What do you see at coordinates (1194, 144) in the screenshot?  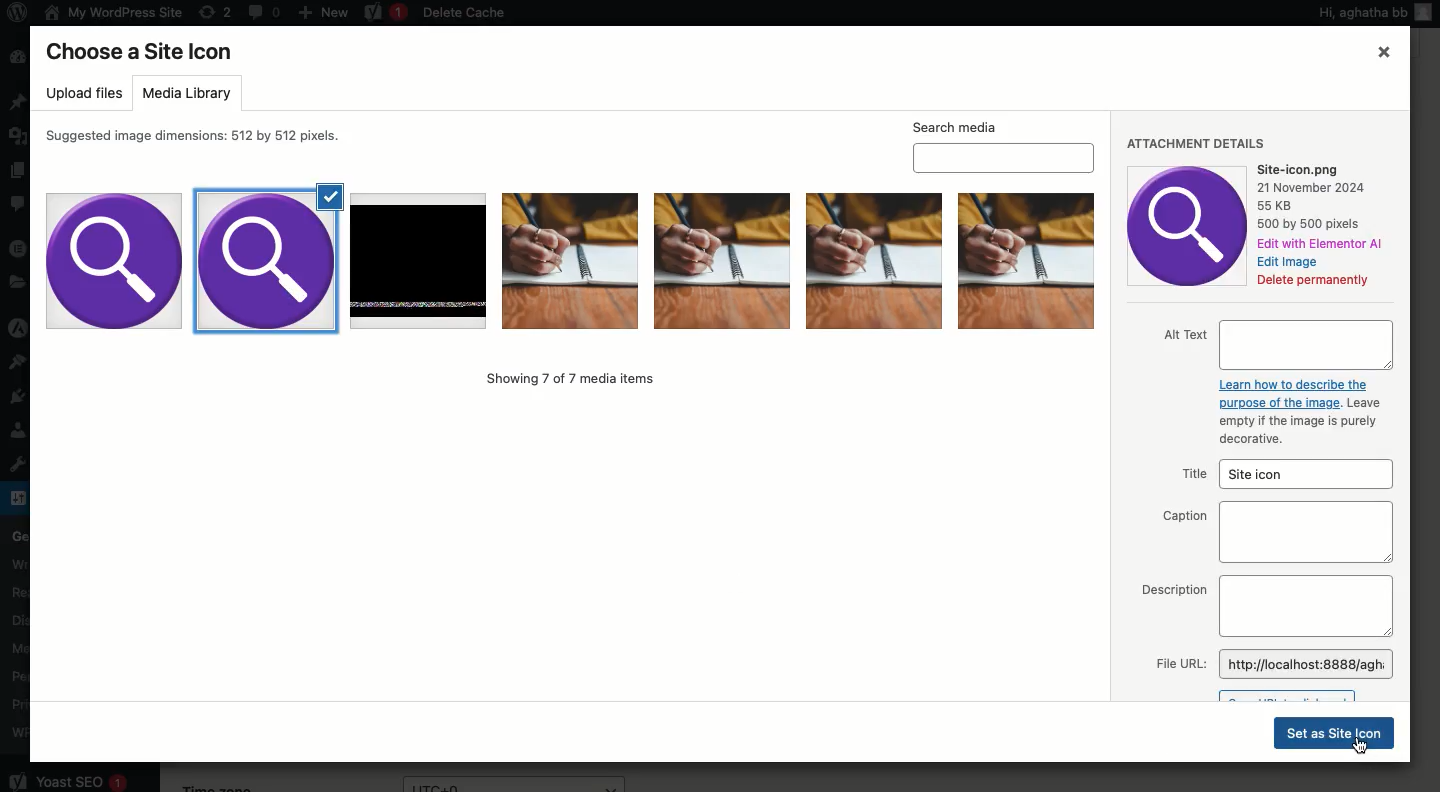 I see `Attachment details` at bounding box center [1194, 144].